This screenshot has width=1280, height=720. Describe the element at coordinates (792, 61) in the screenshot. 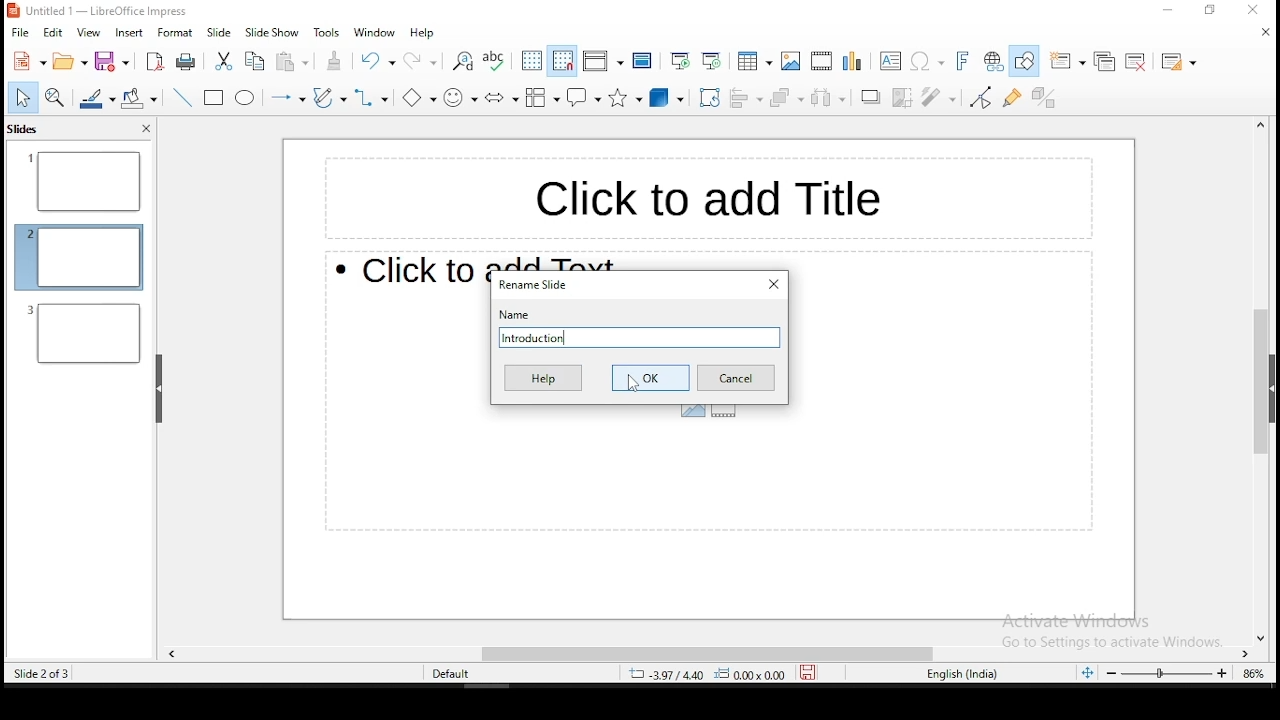

I see `insert image` at that location.